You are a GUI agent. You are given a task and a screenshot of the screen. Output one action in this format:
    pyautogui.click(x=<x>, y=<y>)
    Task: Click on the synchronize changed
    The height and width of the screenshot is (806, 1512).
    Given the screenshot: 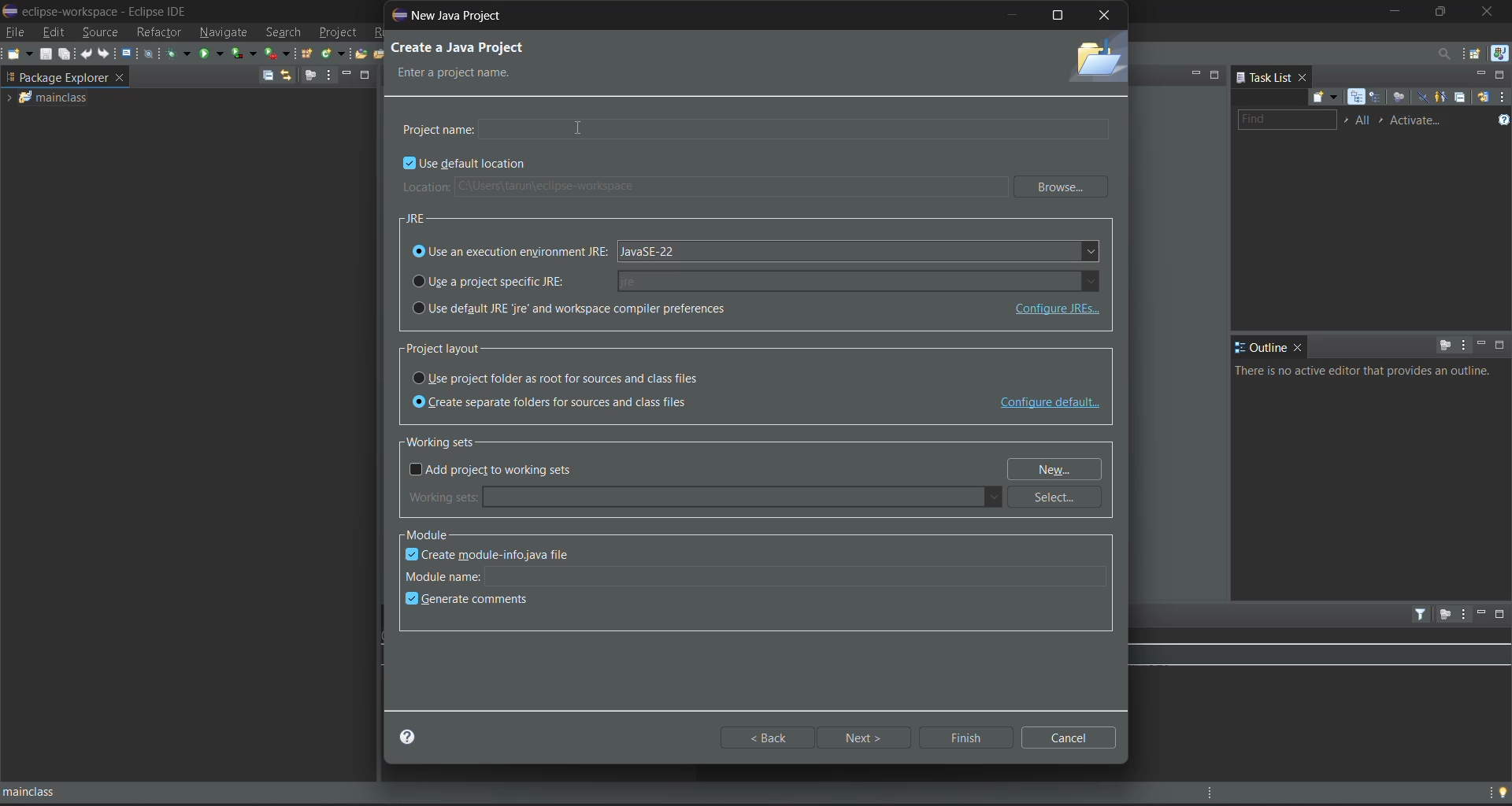 What is the action you would take?
    pyautogui.click(x=1482, y=99)
    